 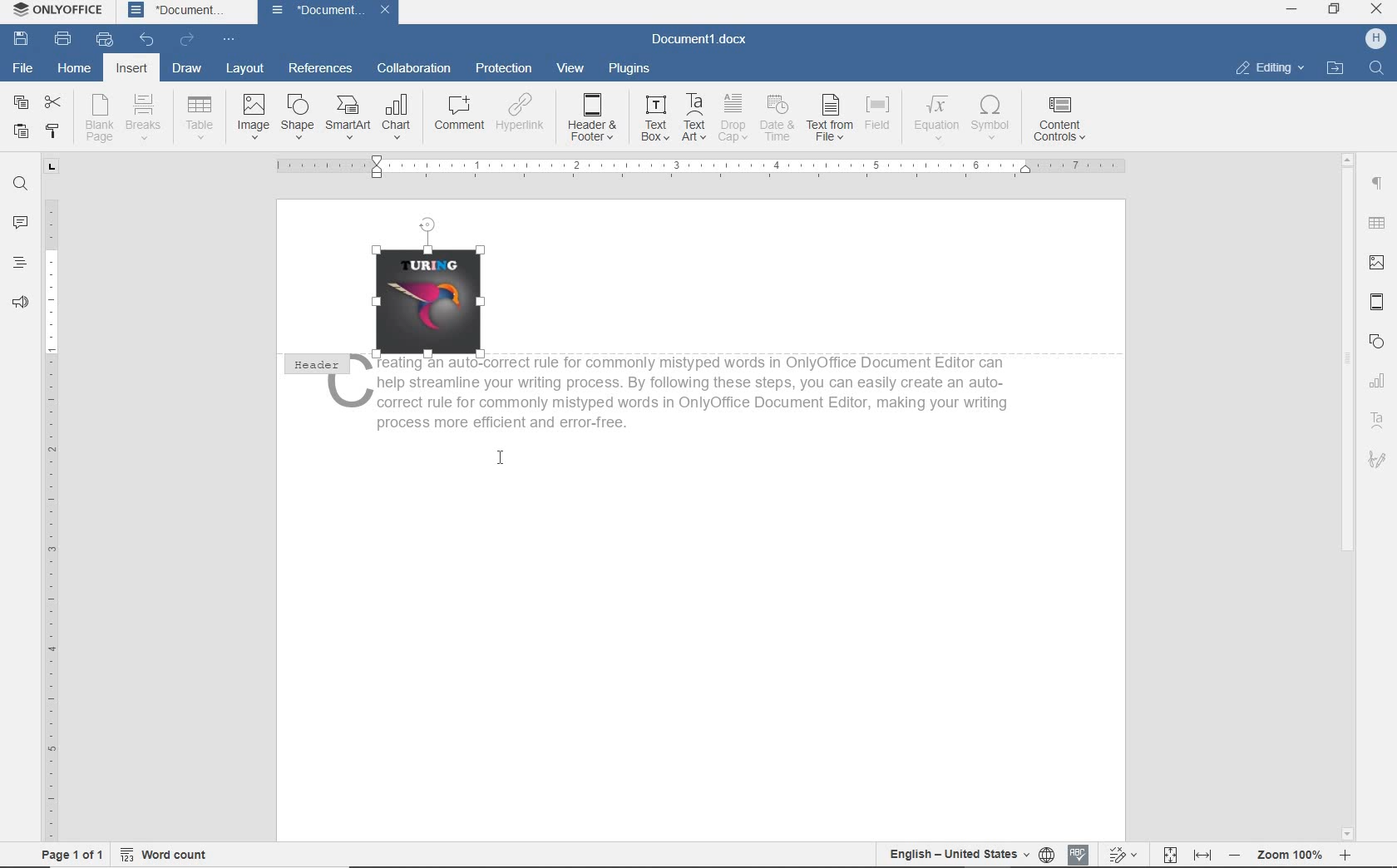 What do you see at coordinates (1376, 263) in the screenshot?
I see `IMAGE` at bounding box center [1376, 263].